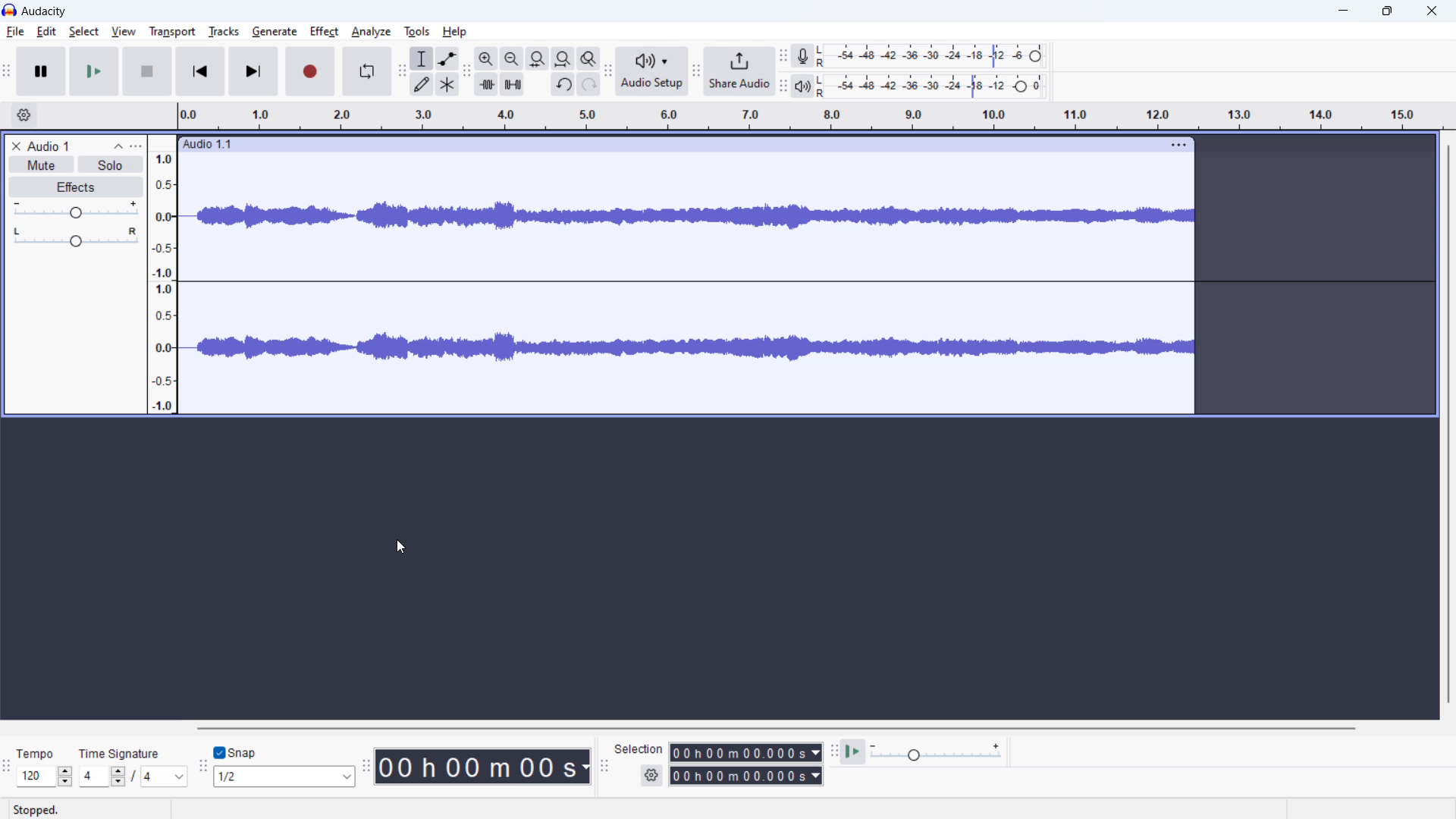 This screenshot has height=819, width=1456. I want to click on recording meter toolbar, so click(782, 58).